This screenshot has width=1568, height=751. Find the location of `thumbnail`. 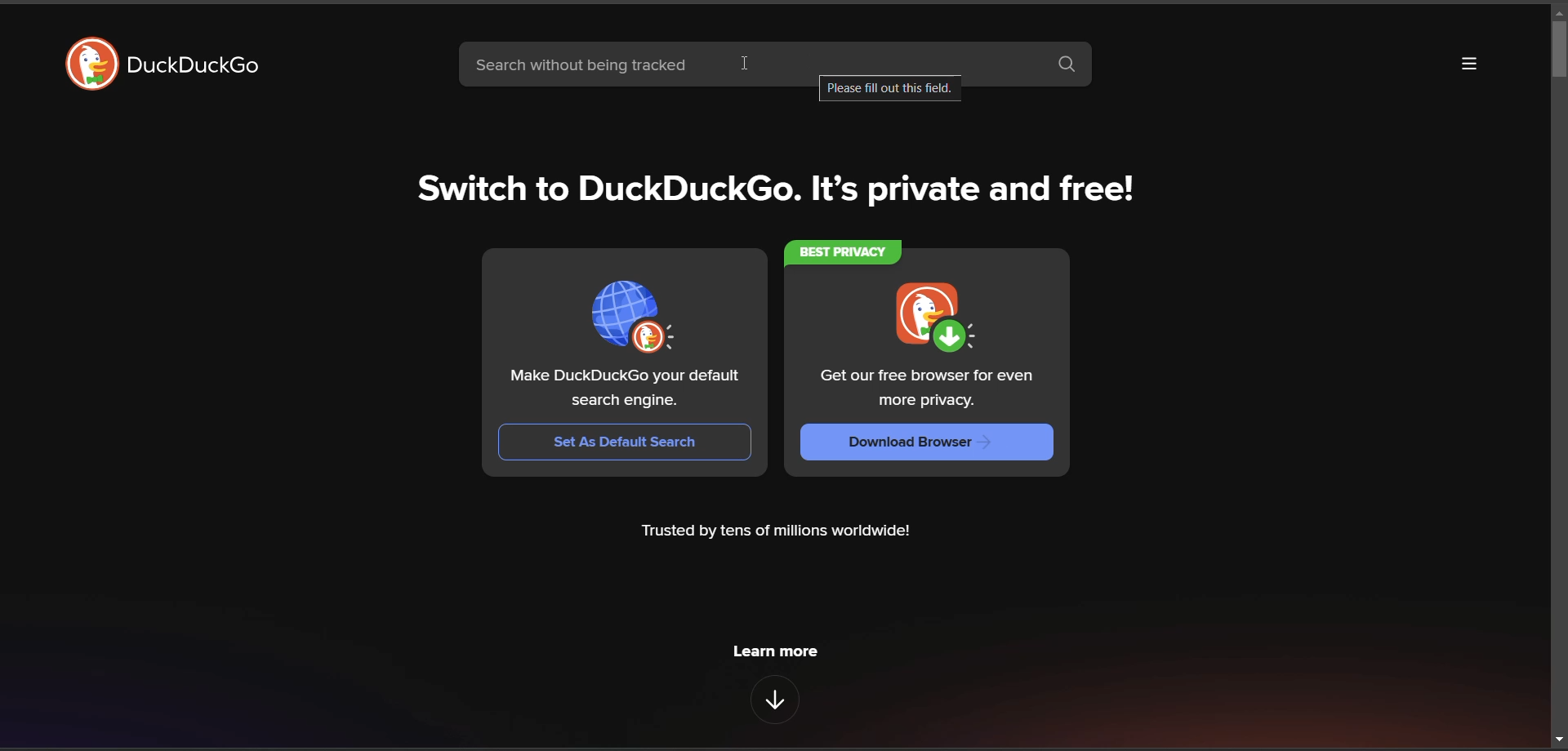

thumbnail is located at coordinates (632, 319).